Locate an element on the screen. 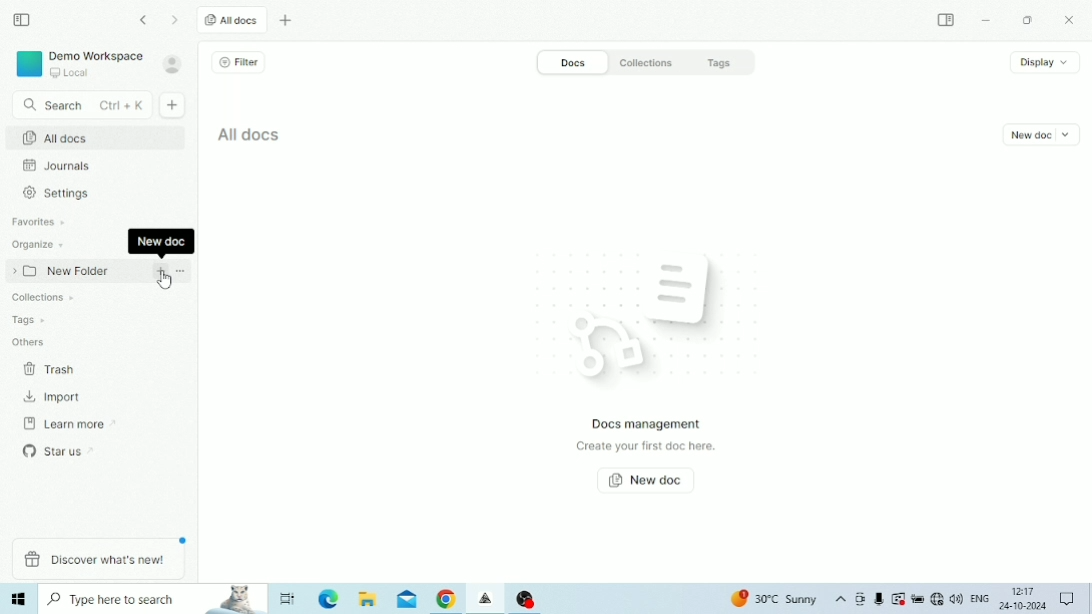  Filter is located at coordinates (243, 62).